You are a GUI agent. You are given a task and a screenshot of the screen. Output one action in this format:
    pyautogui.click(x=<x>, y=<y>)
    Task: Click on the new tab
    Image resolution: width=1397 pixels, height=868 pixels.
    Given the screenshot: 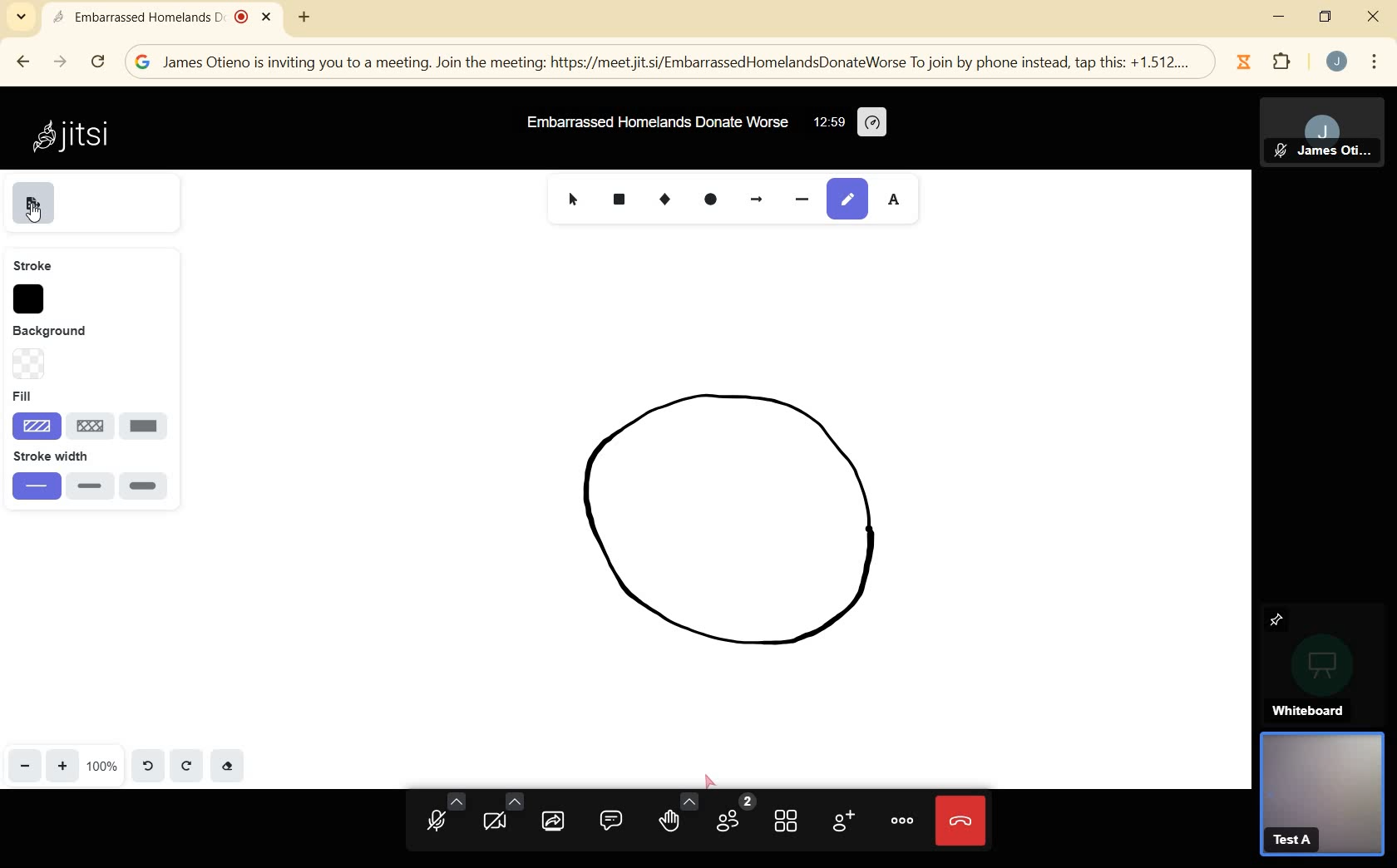 What is the action you would take?
    pyautogui.click(x=304, y=16)
    